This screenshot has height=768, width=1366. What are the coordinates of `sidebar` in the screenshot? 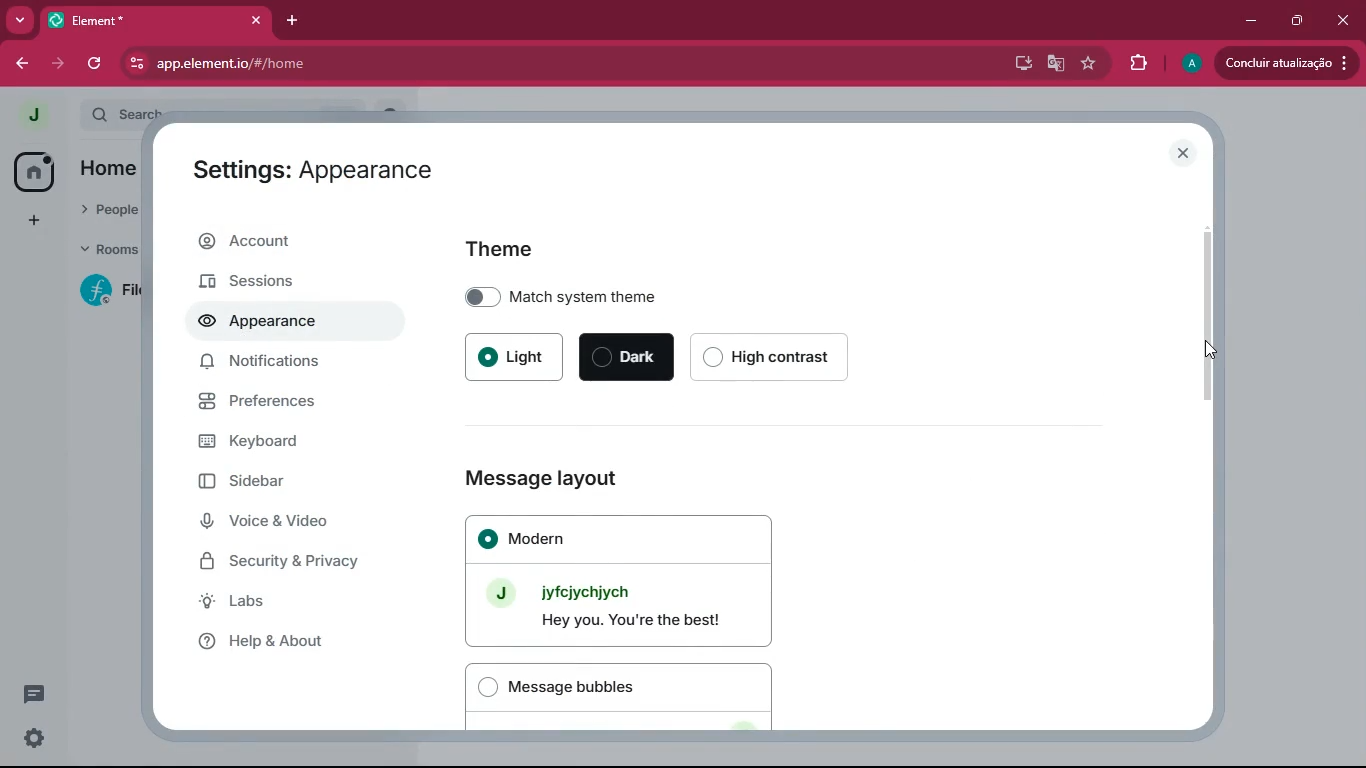 It's located at (298, 487).